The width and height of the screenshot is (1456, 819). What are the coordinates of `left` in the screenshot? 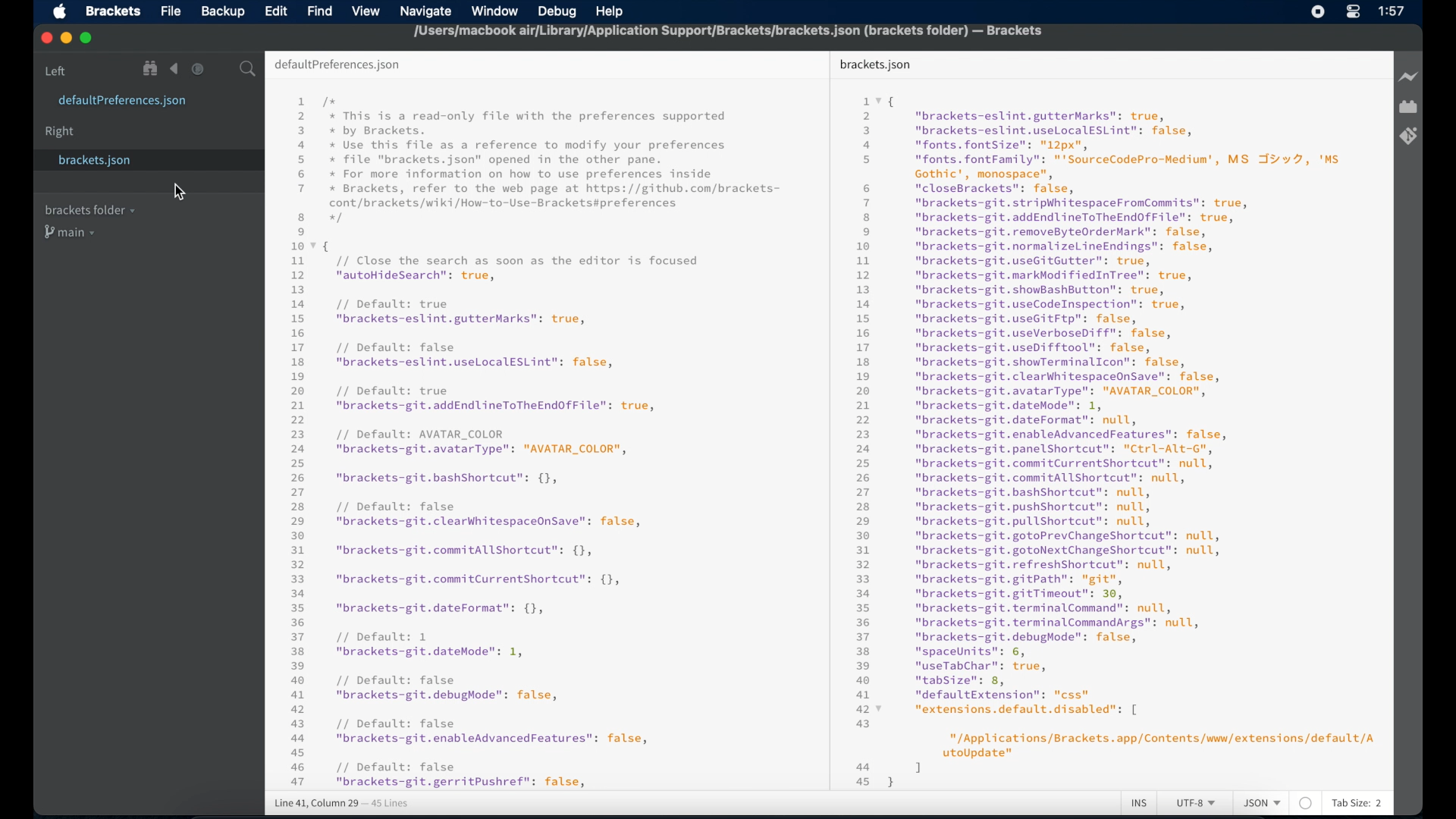 It's located at (56, 71).